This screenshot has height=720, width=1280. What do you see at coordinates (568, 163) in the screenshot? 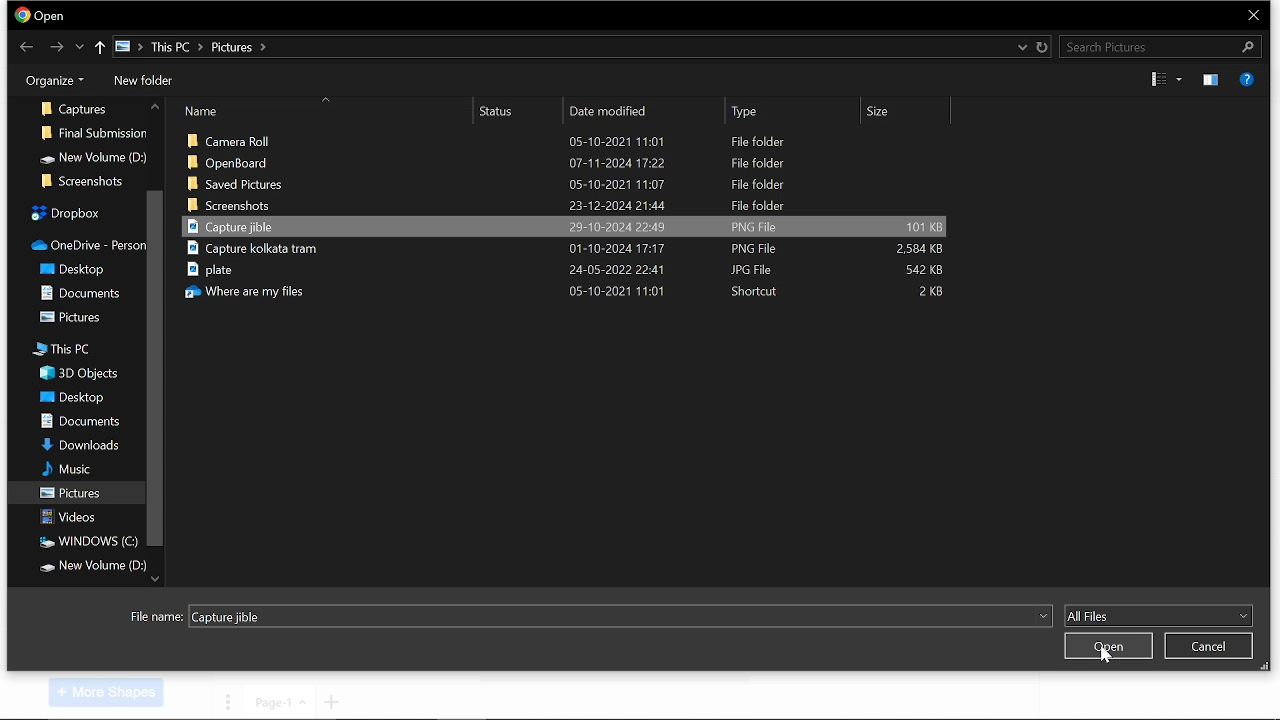
I see `files` at bounding box center [568, 163].